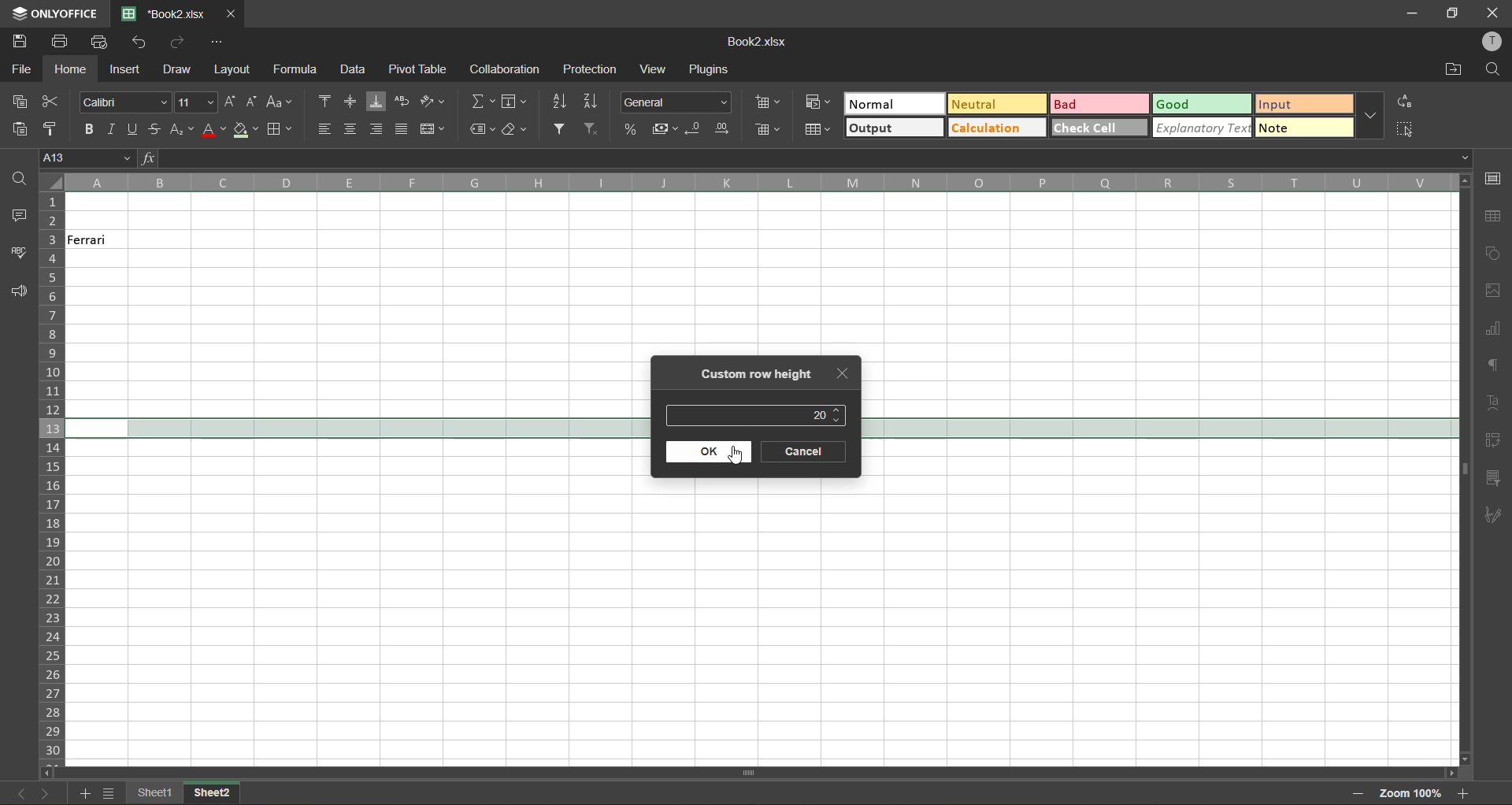 This screenshot has width=1512, height=805. I want to click on explanatory text, so click(1204, 127).